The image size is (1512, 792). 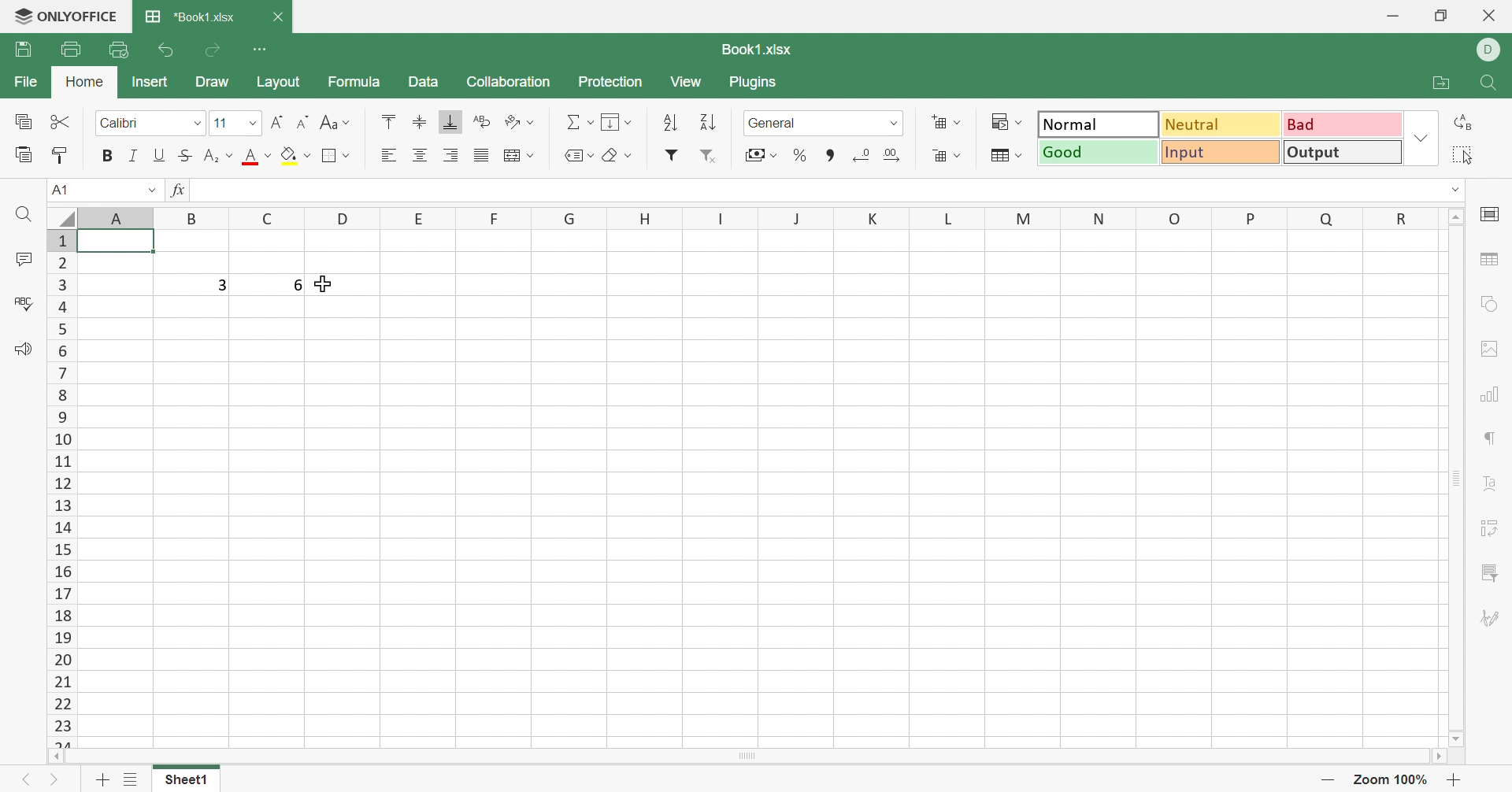 I want to click on Zoom out, so click(x=1327, y=781).